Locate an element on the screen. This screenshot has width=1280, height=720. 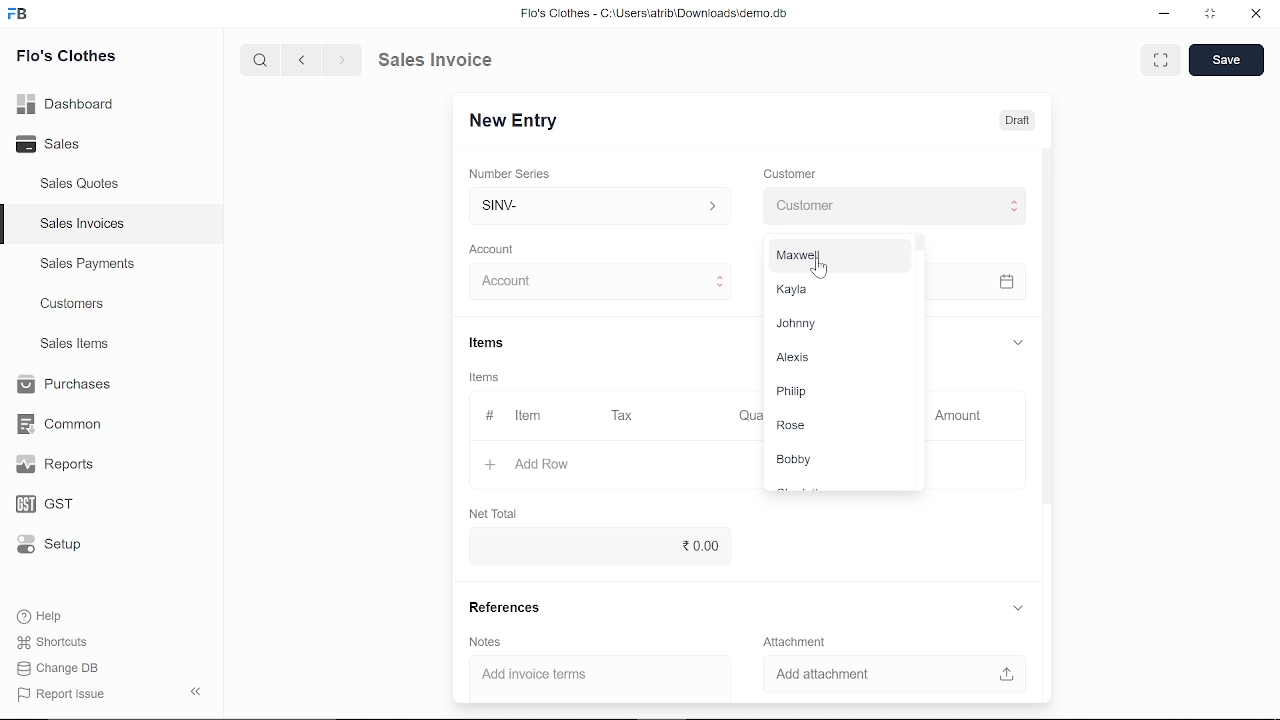
‘Attachment is located at coordinates (792, 642).